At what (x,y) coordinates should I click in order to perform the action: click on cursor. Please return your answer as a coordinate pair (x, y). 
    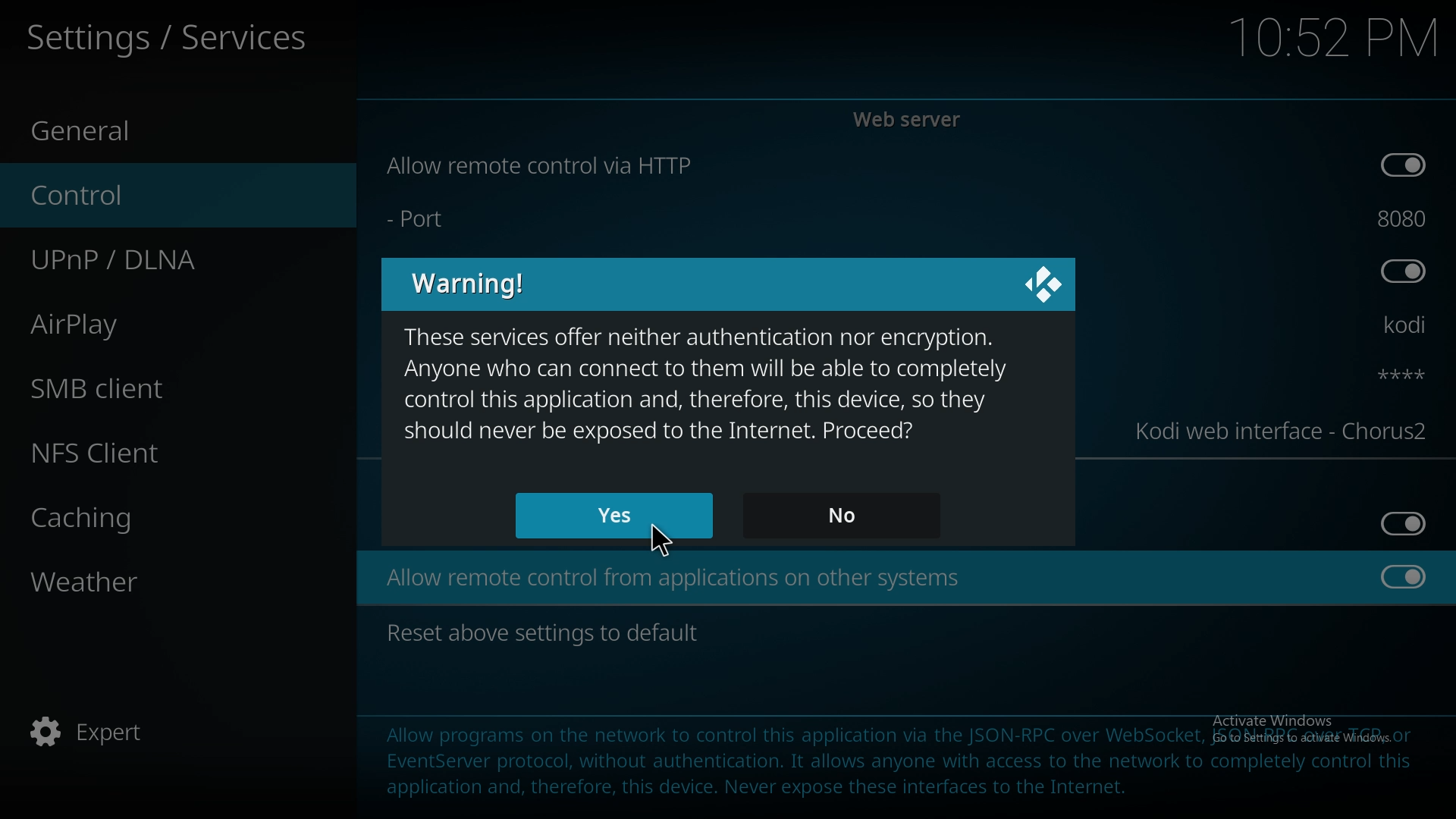
    Looking at the image, I should click on (659, 541).